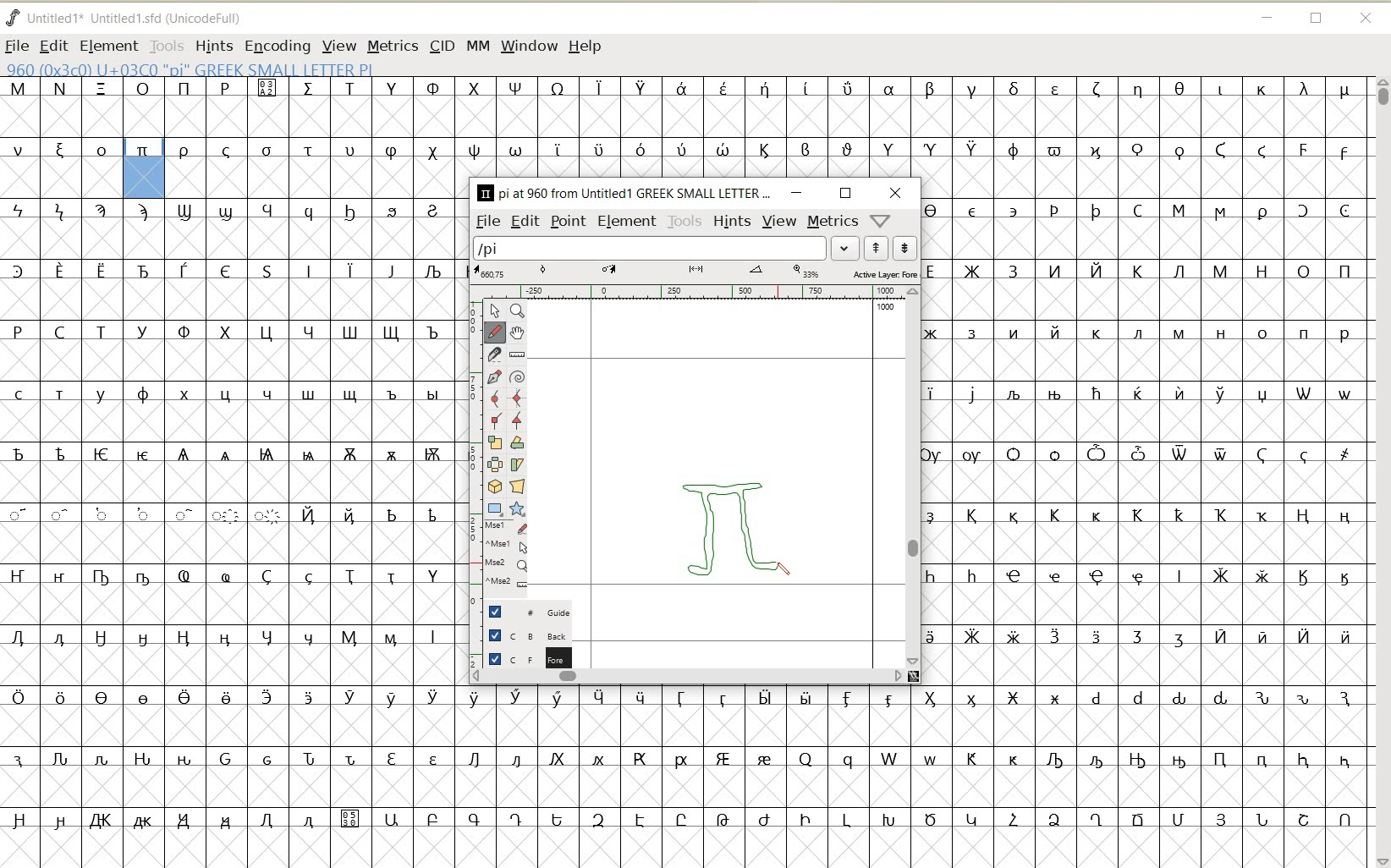  What do you see at coordinates (519, 486) in the screenshot?
I see `perform a perspective transformation on the selection` at bounding box center [519, 486].